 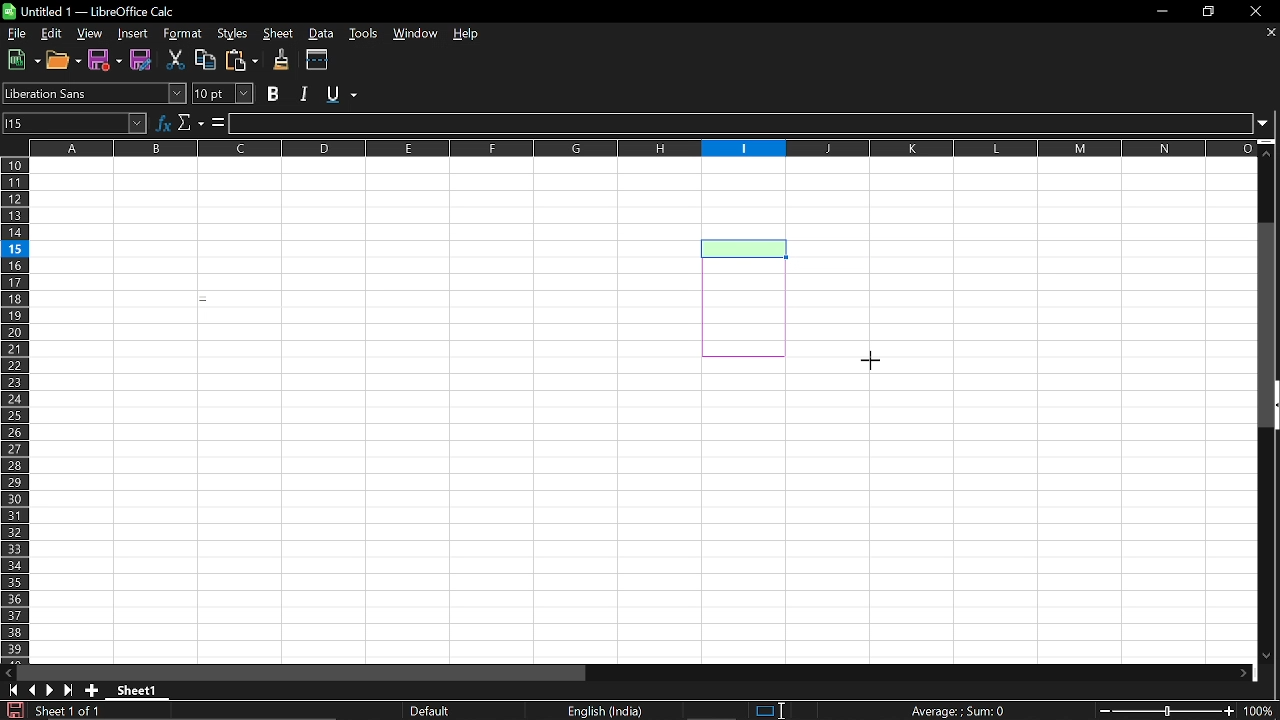 I want to click on Select function, so click(x=191, y=123).